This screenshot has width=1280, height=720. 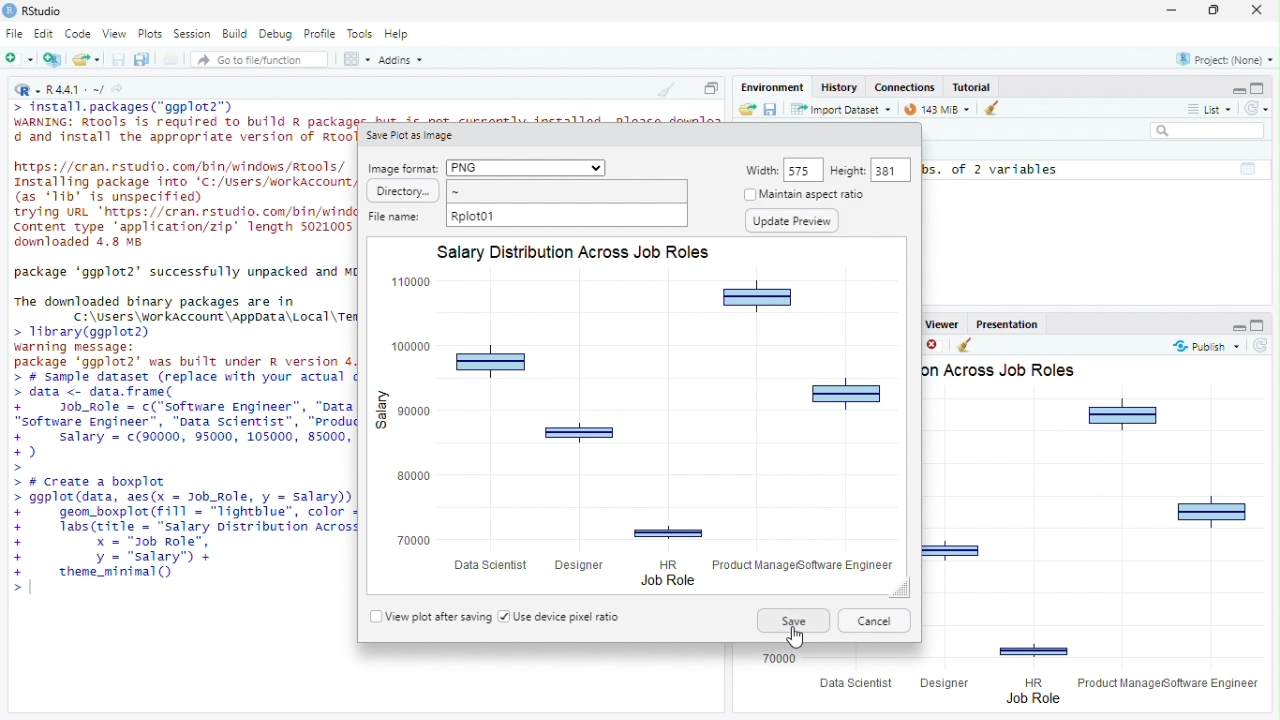 I want to click on maximize, so click(x=1261, y=325).